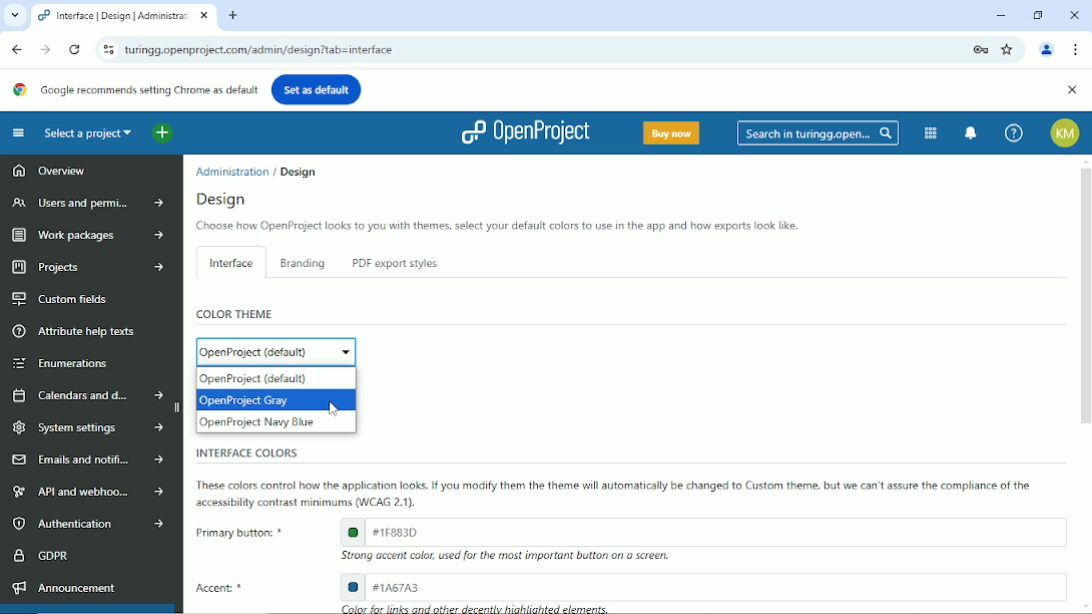 The image size is (1092, 614). I want to click on Close, so click(1071, 90).